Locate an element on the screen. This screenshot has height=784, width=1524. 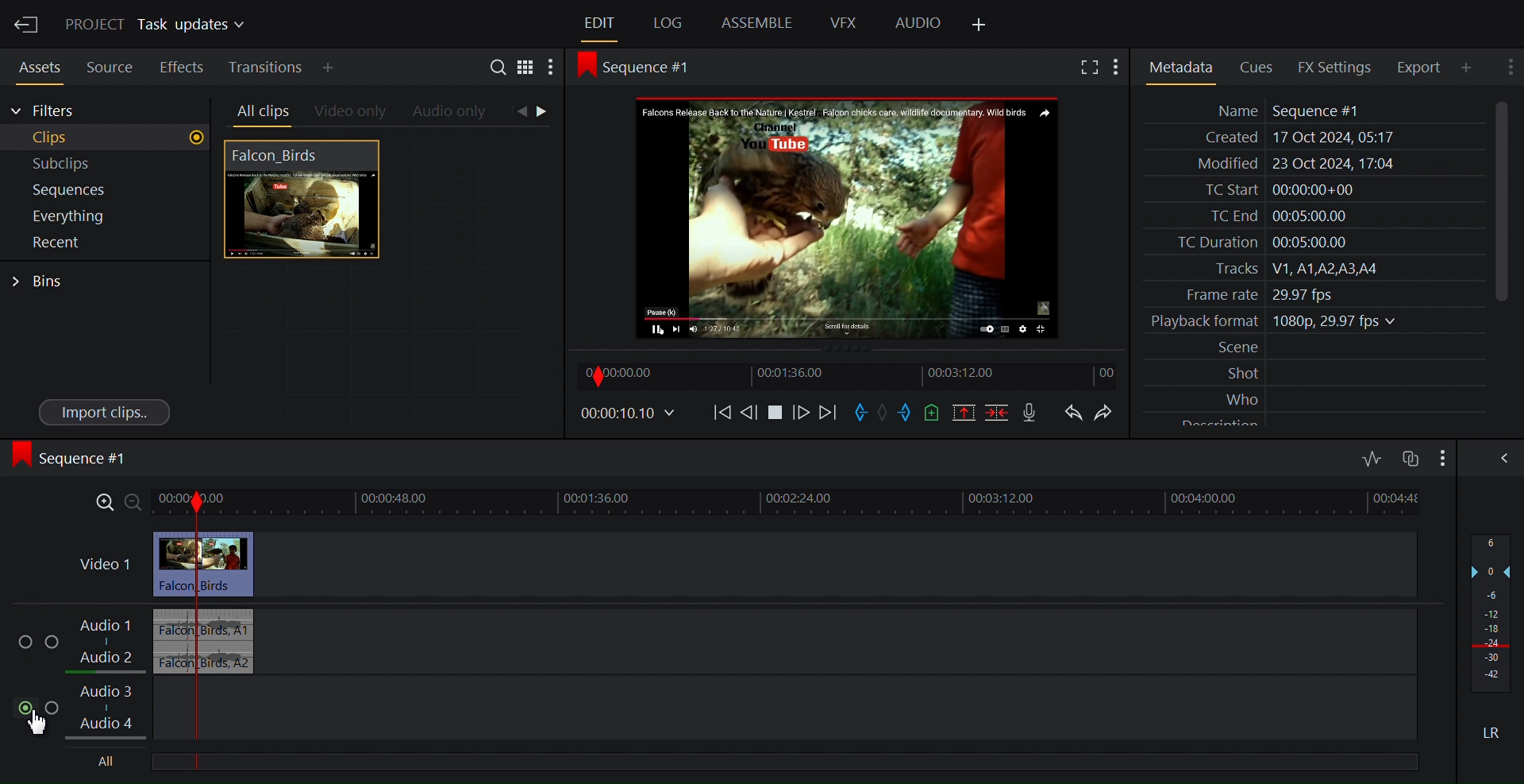
Edit is located at coordinates (601, 24).